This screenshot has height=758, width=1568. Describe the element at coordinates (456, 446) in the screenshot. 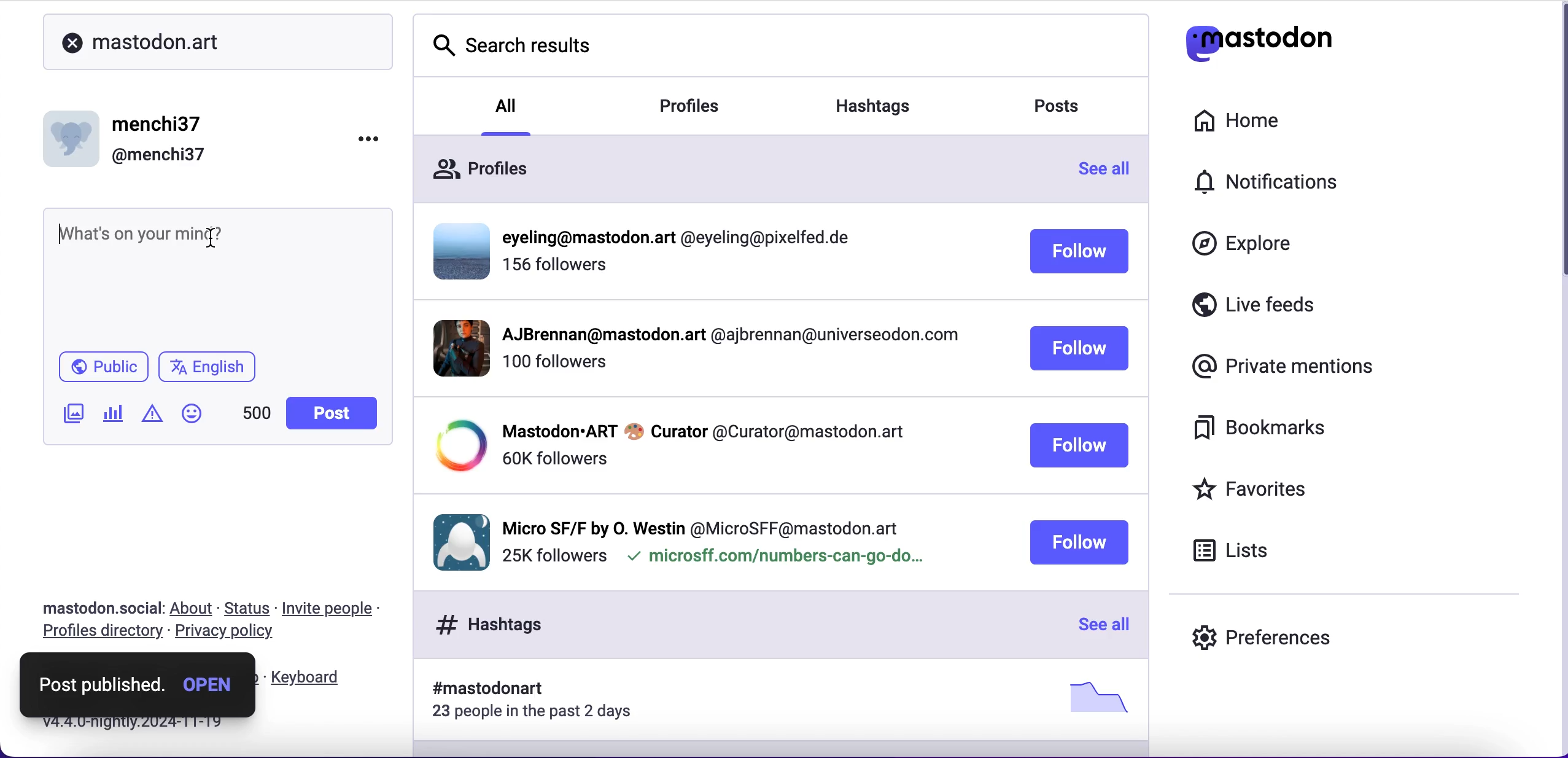

I see `display picture` at that location.